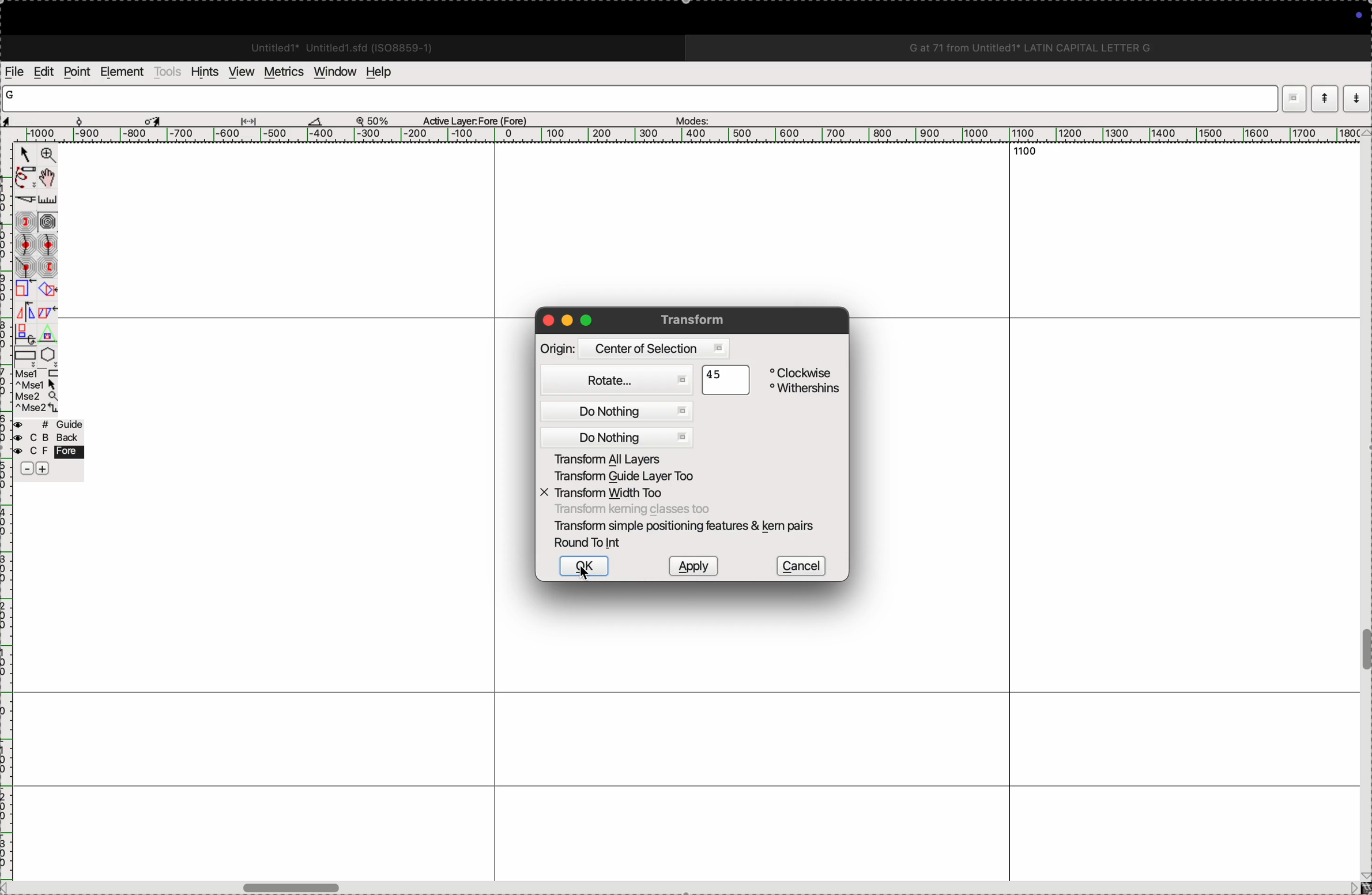 This screenshot has height=895, width=1372. Describe the element at coordinates (694, 320) in the screenshot. I see `Transform` at that location.